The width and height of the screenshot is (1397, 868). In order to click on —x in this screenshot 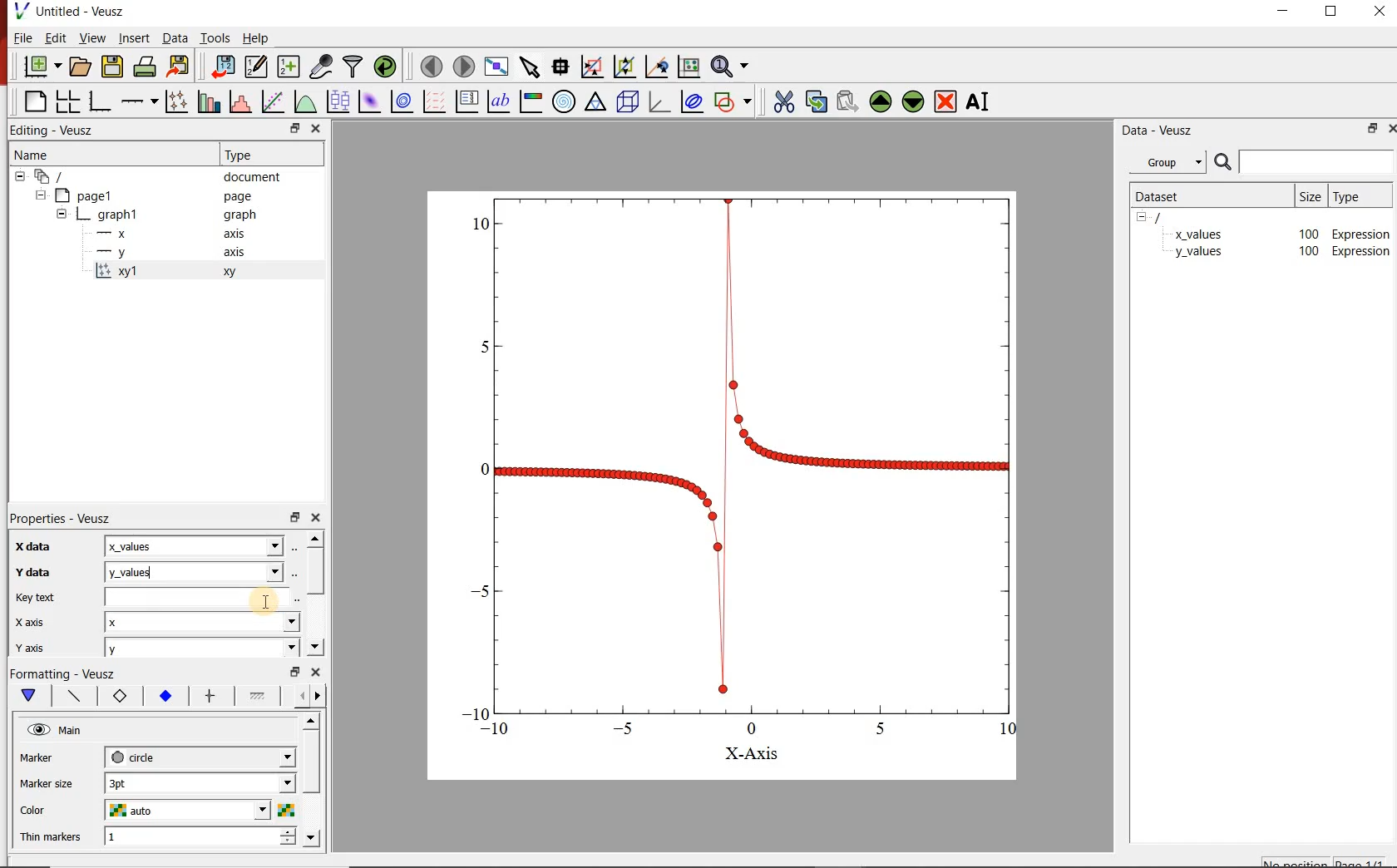, I will do `click(116, 232)`.